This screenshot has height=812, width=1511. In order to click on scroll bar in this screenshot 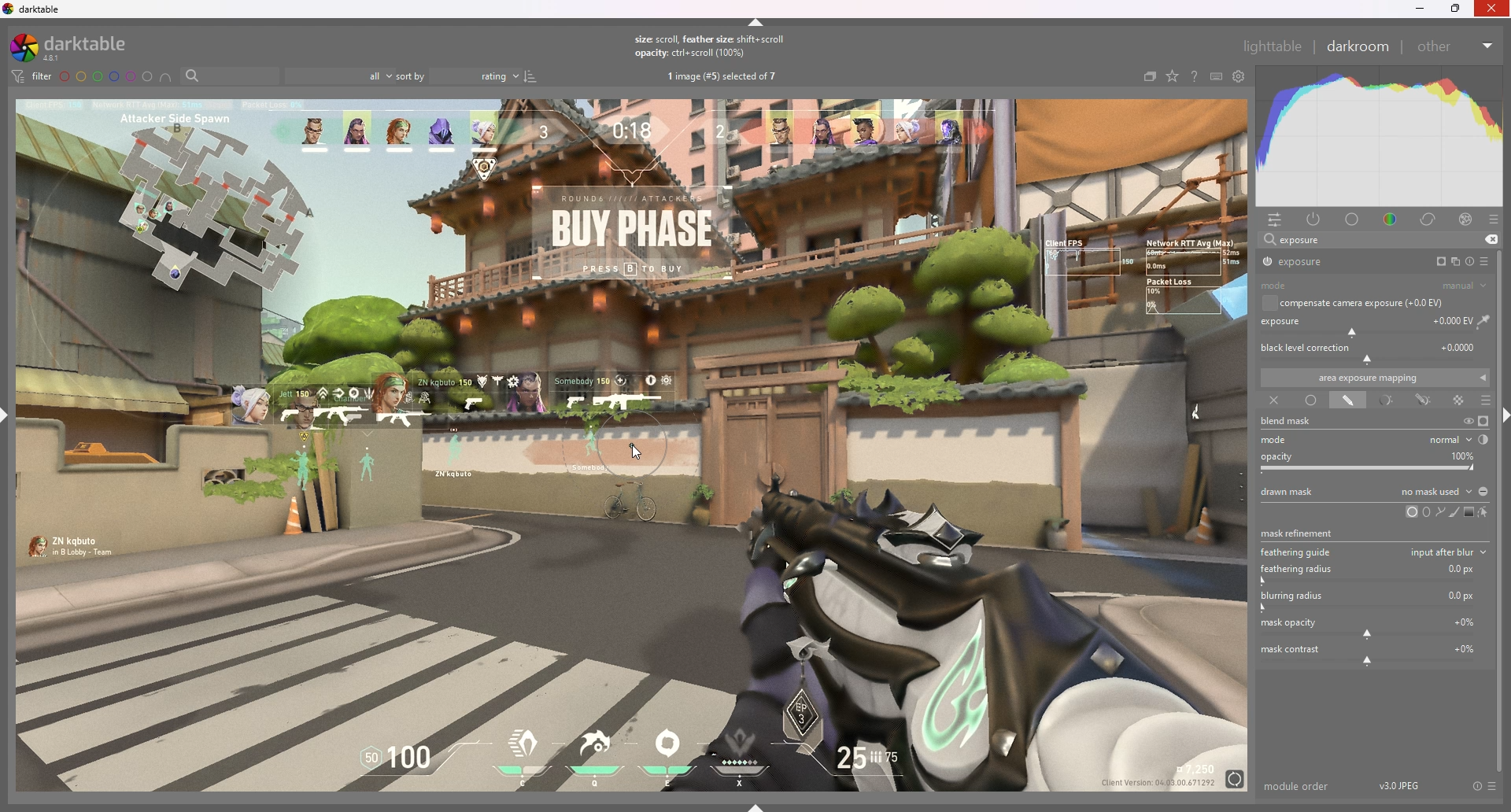, I will do `click(1505, 509)`.